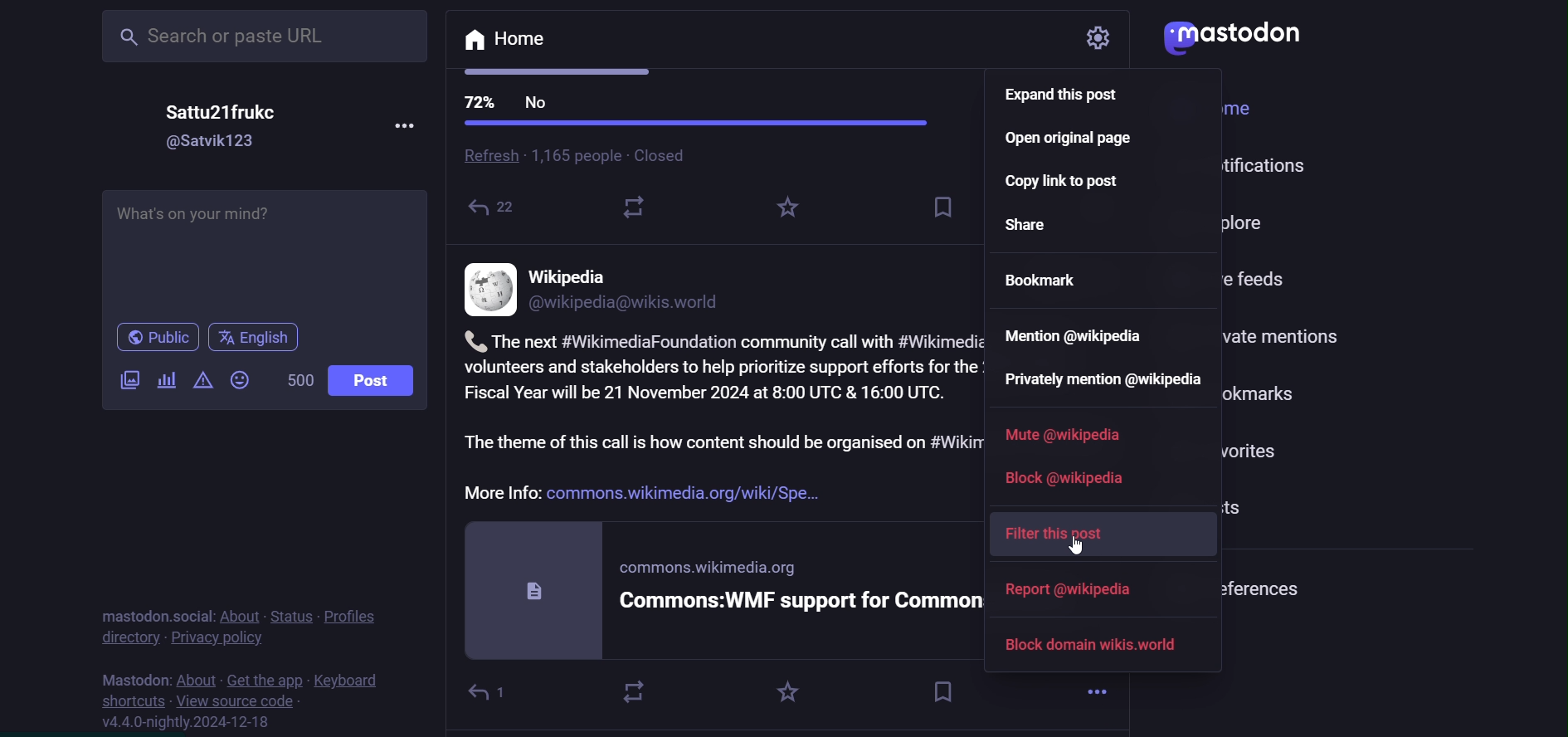  What do you see at coordinates (242, 700) in the screenshot?
I see `source code` at bounding box center [242, 700].